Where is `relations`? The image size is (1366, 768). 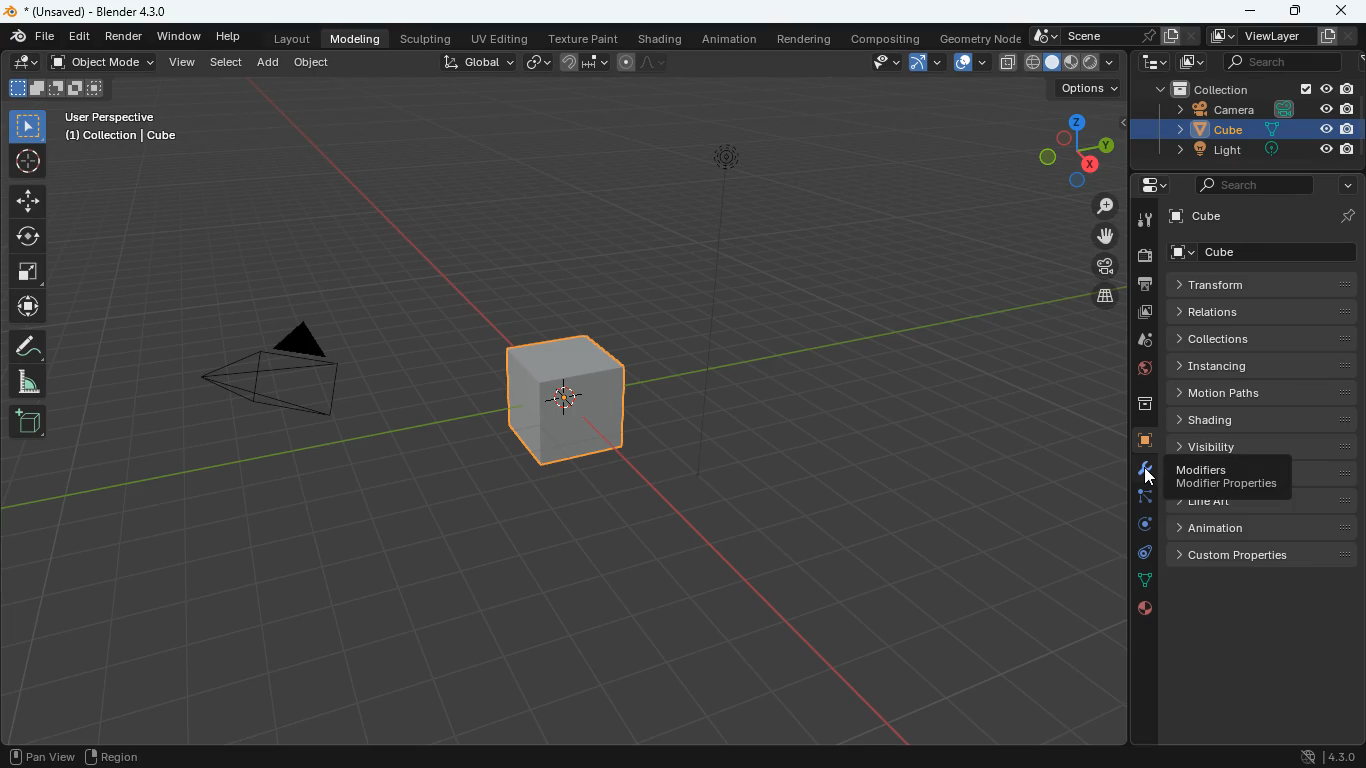 relations is located at coordinates (1264, 311).